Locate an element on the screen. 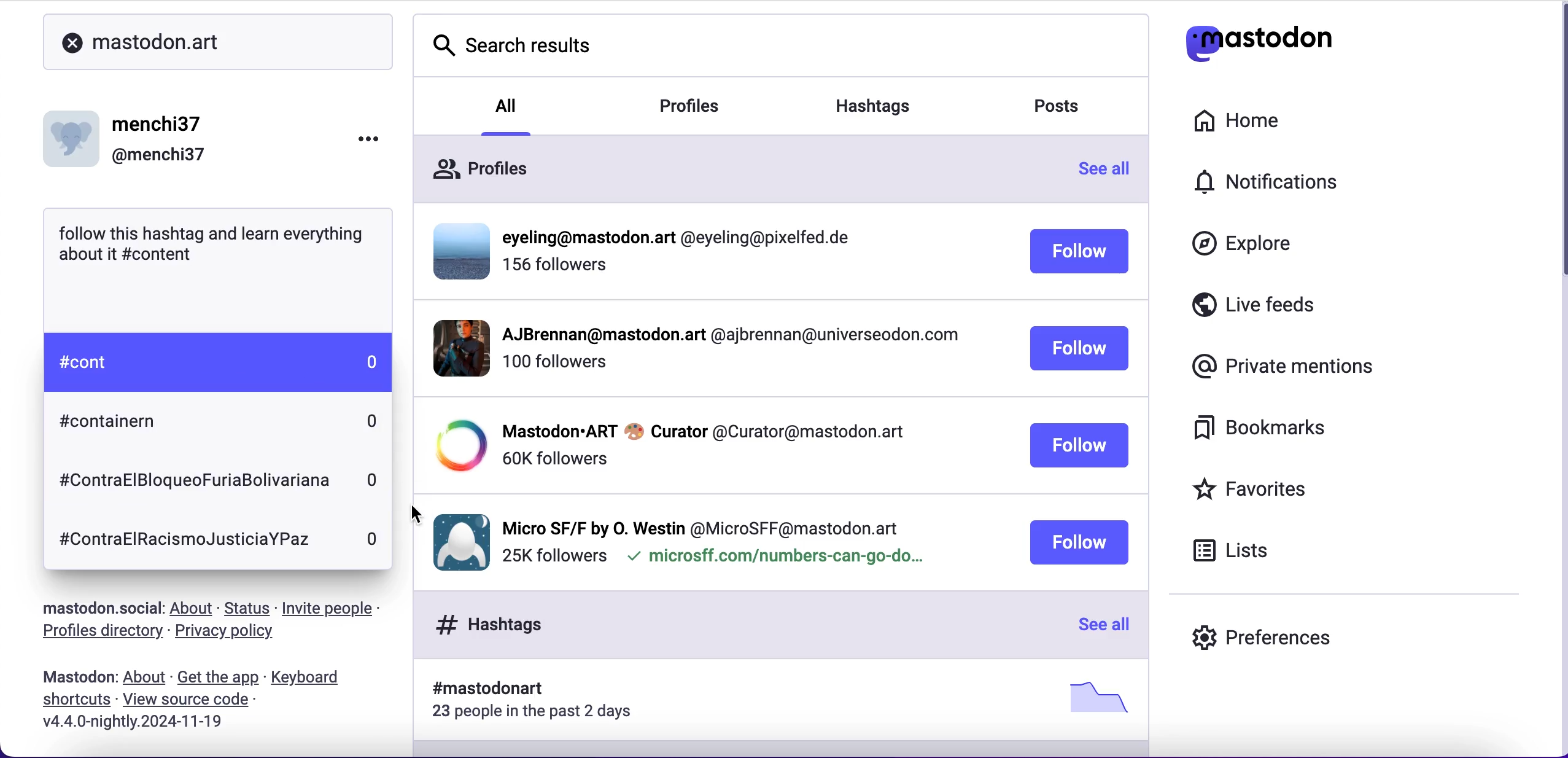  about is located at coordinates (194, 609).